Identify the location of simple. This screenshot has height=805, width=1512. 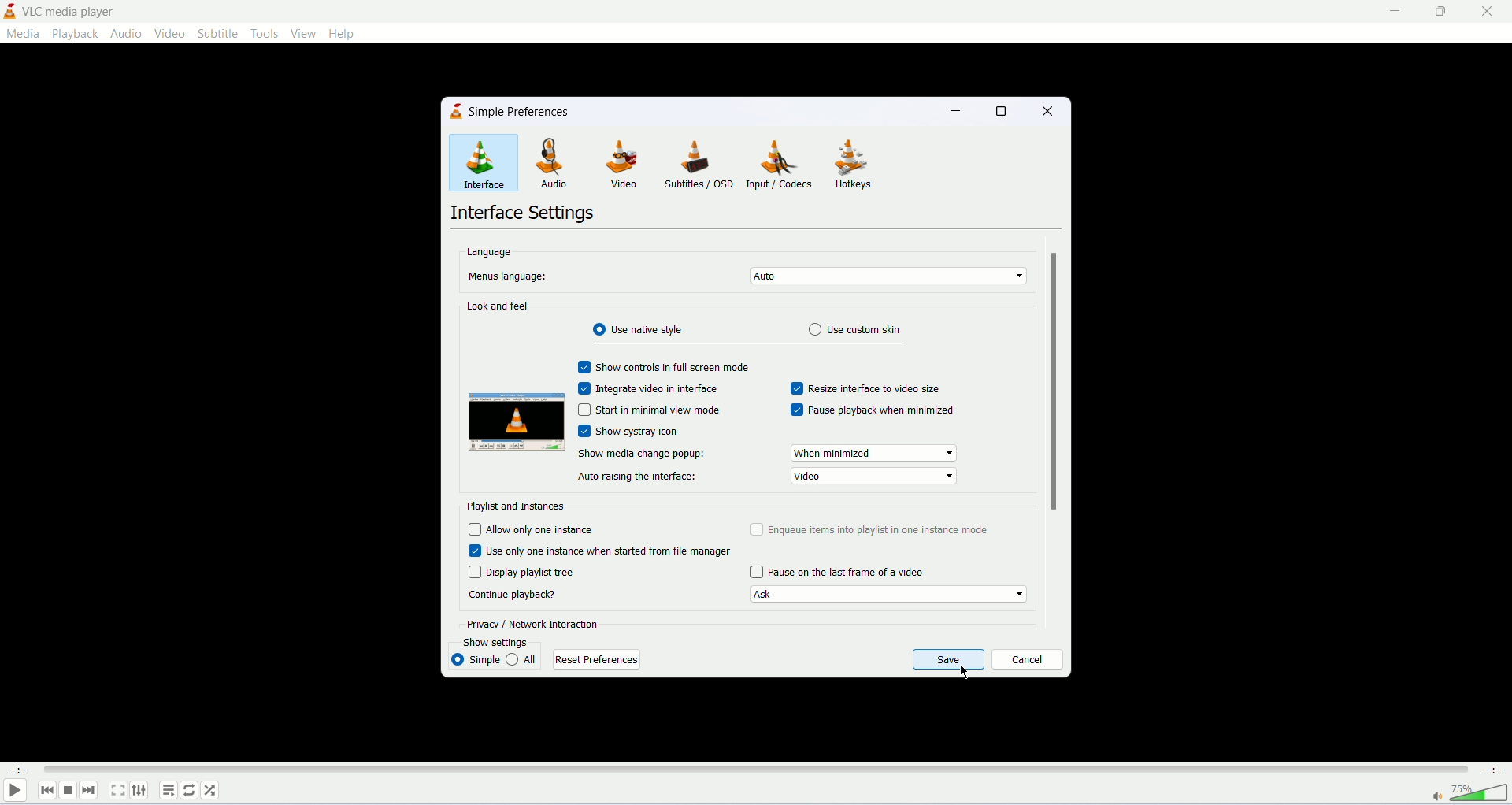
(476, 661).